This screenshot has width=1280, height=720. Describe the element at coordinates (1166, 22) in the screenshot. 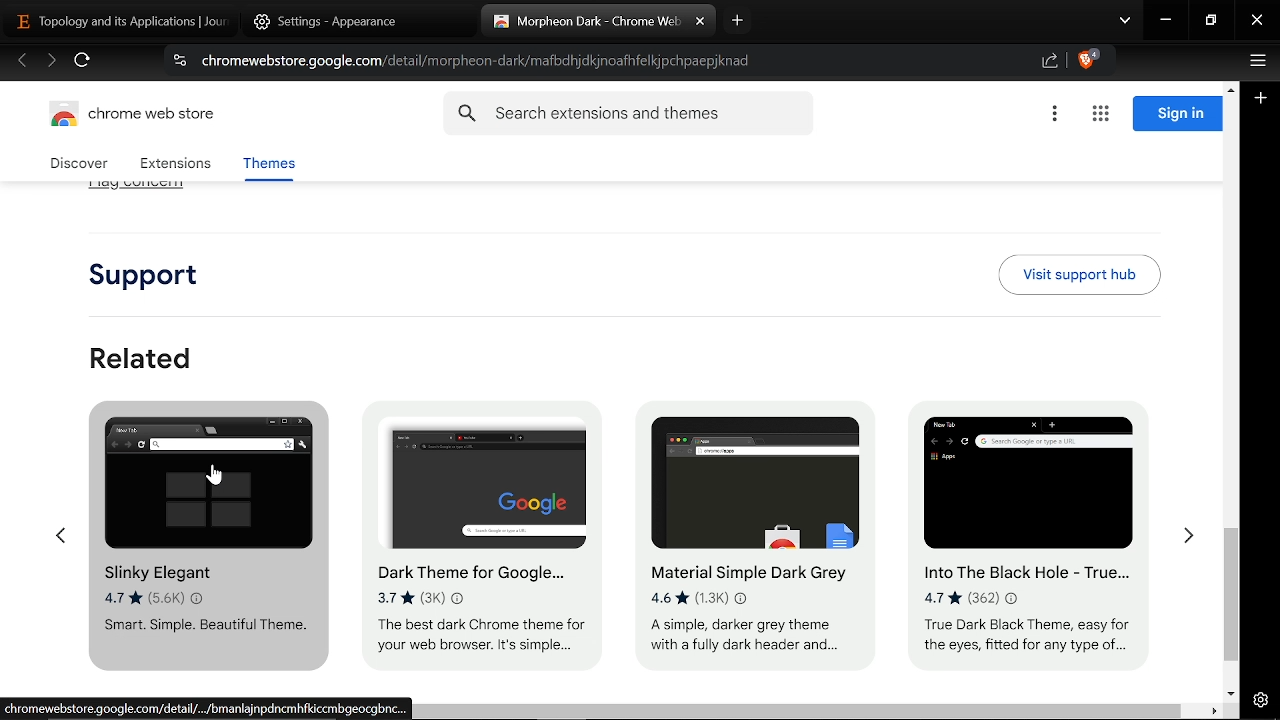

I see `Minimize` at that location.